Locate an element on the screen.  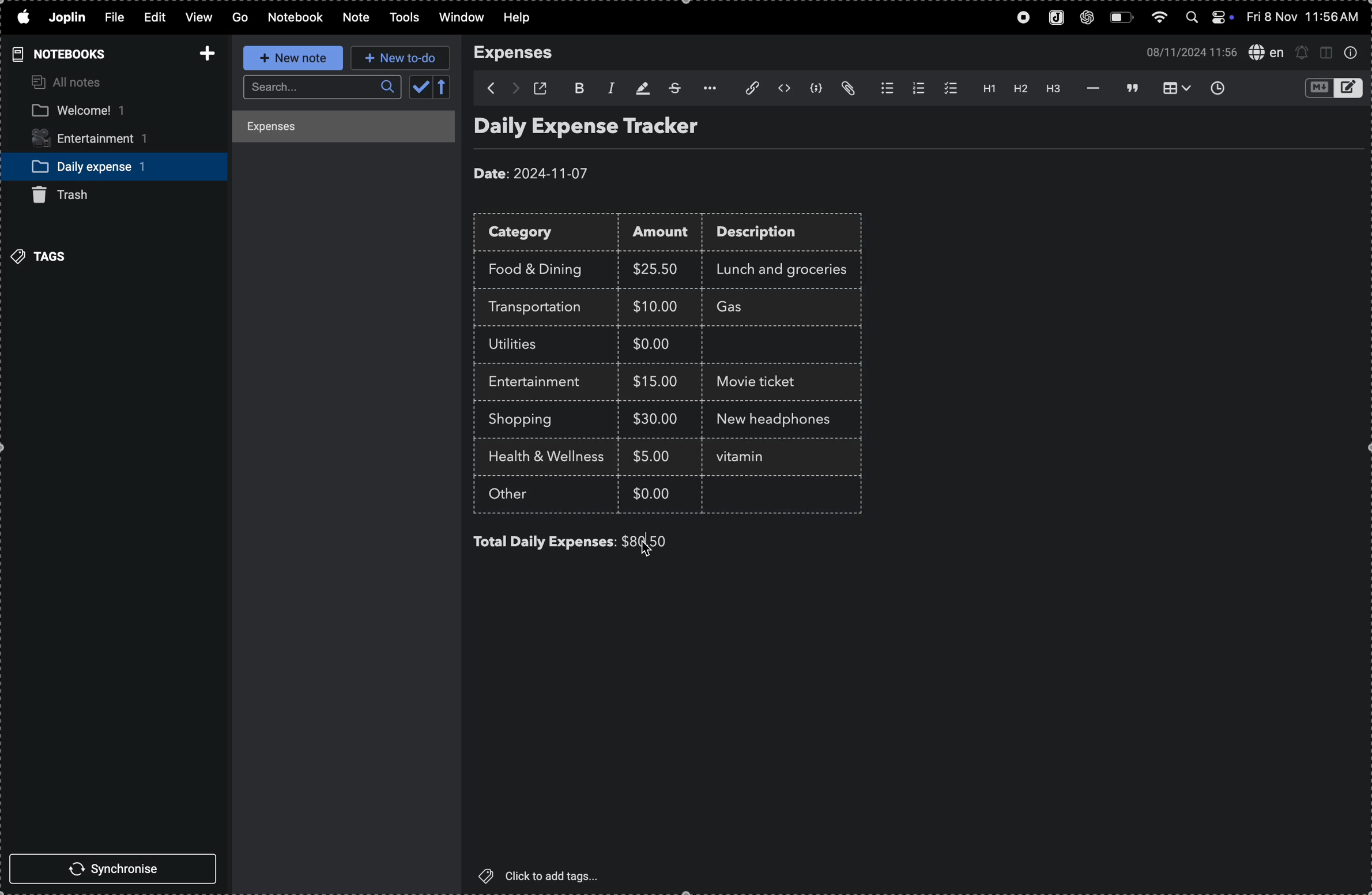
help is located at coordinates (524, 18).